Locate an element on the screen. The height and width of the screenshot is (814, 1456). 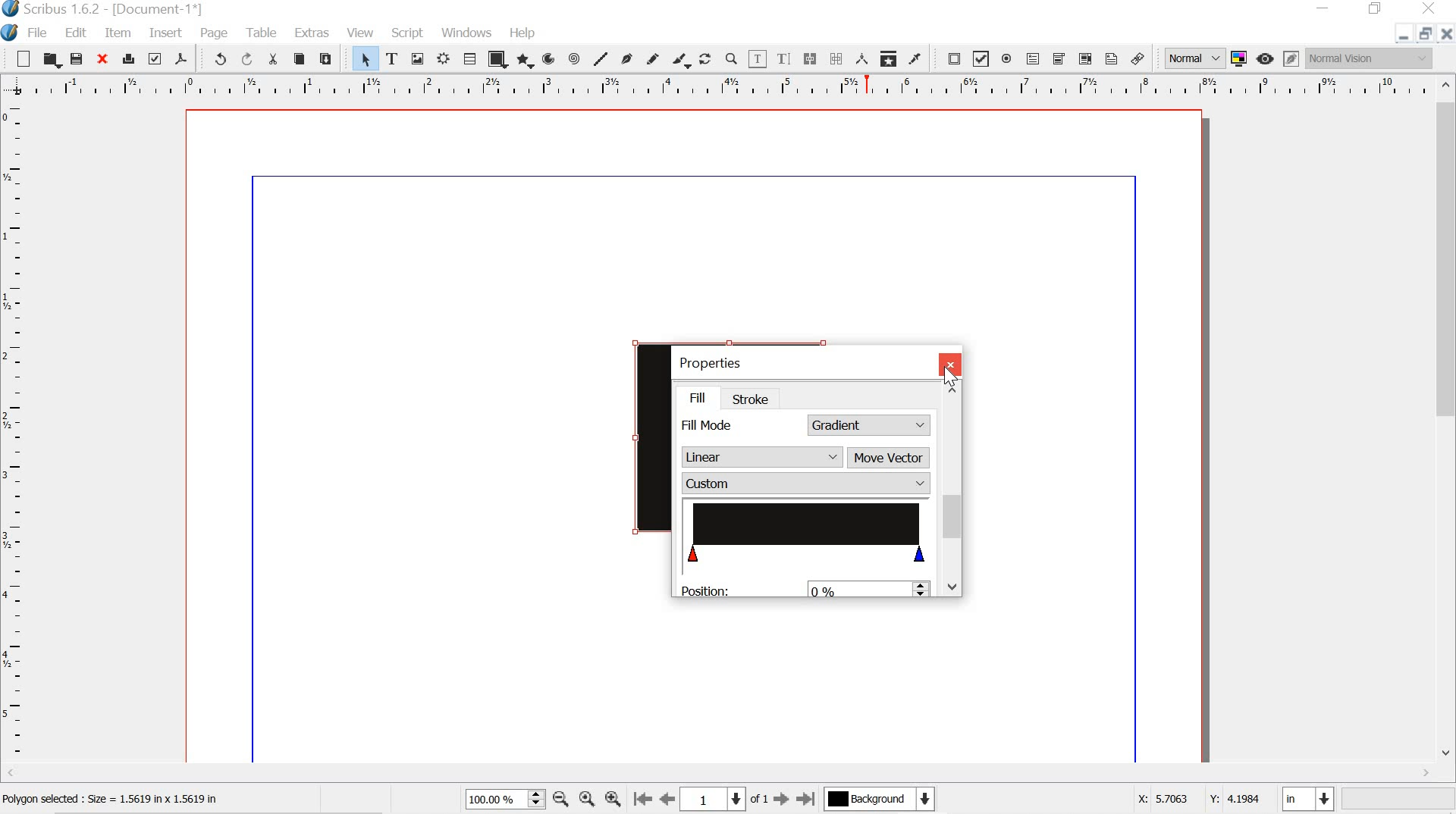
line is located at coordinates (601, 58).